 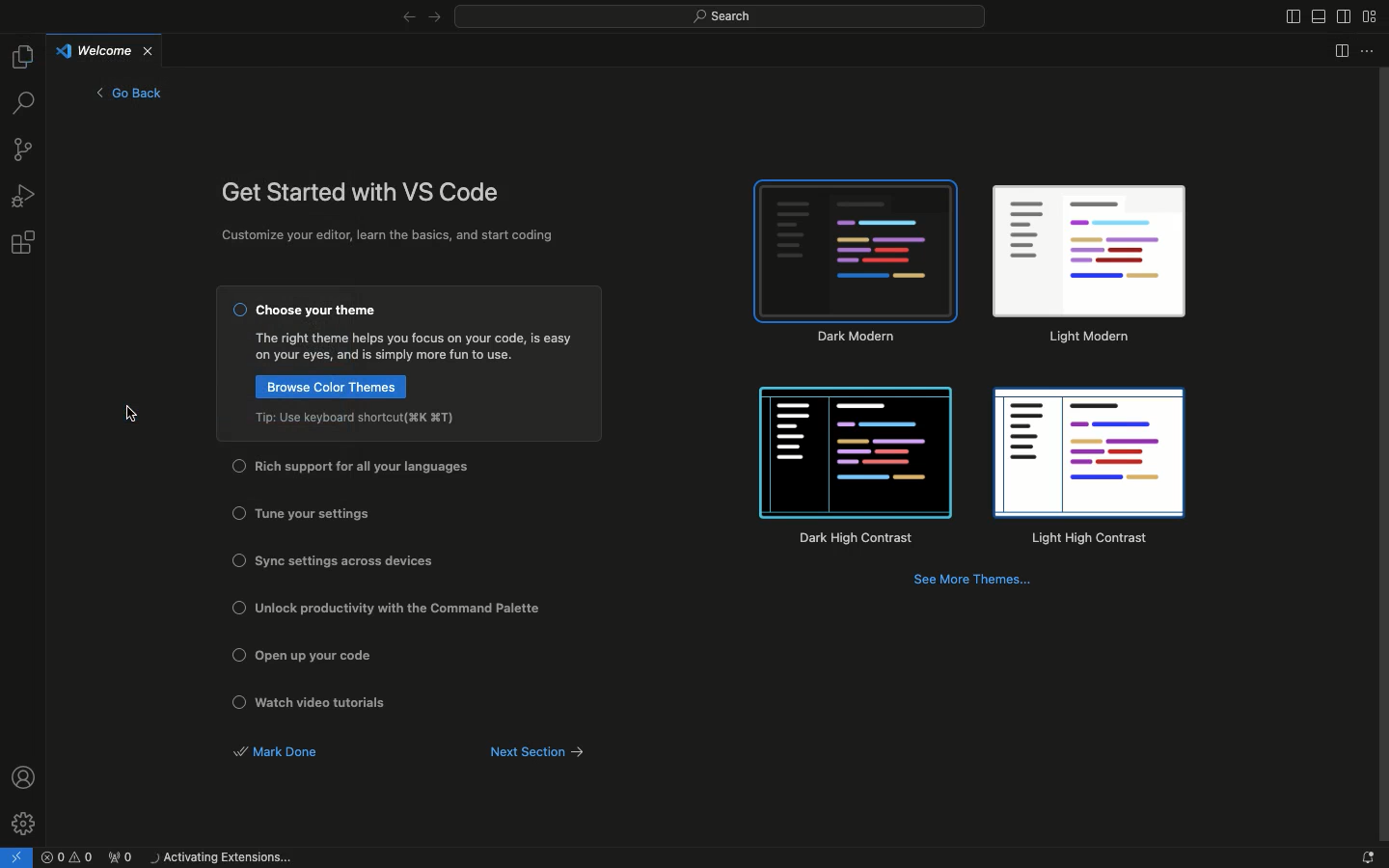 What do you see at coordinates (435, 18) in the screenshot?
I see `forward` at bounding box center [435, 18].